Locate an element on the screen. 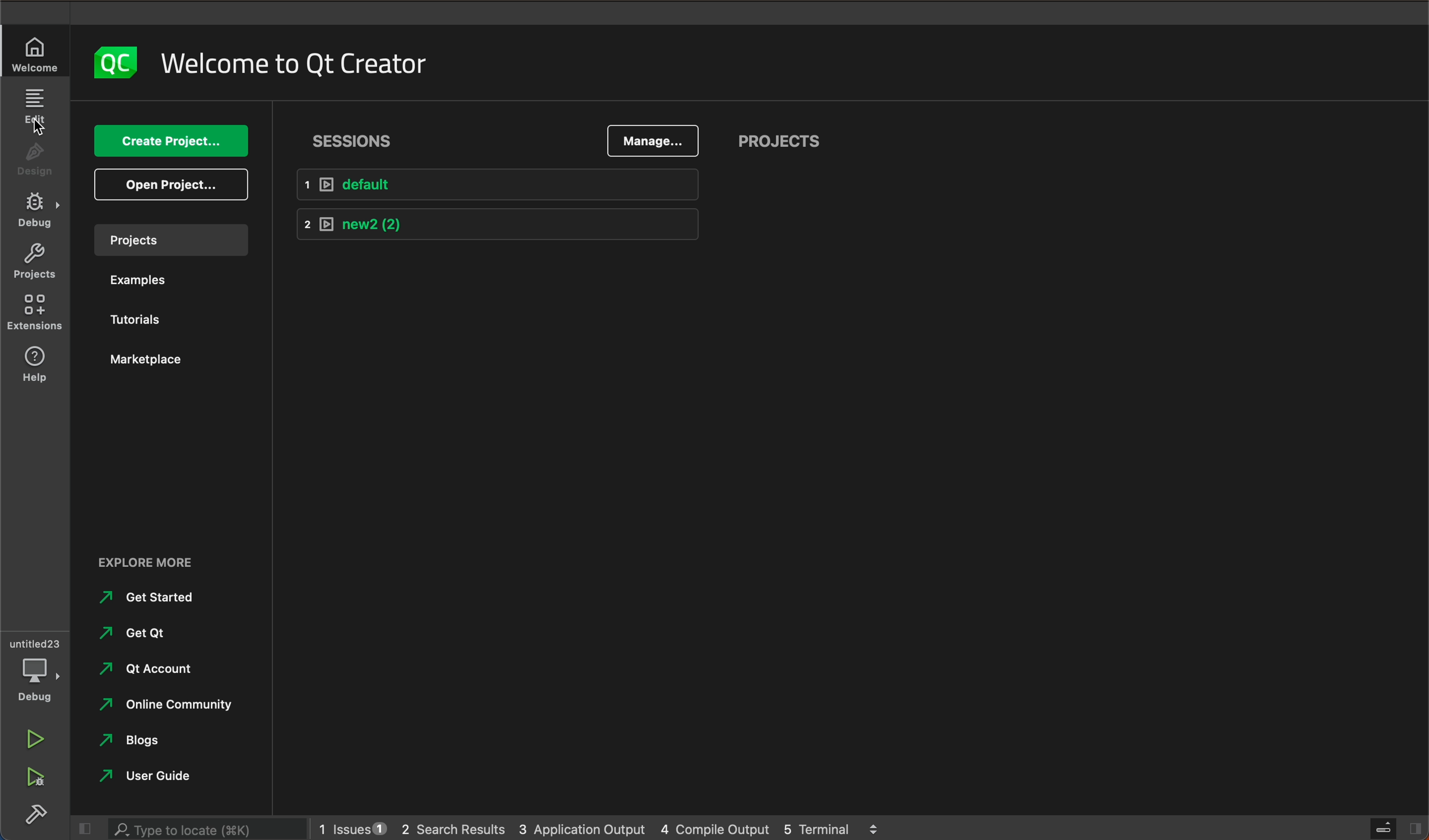  run is located at coordinates (35, 736).